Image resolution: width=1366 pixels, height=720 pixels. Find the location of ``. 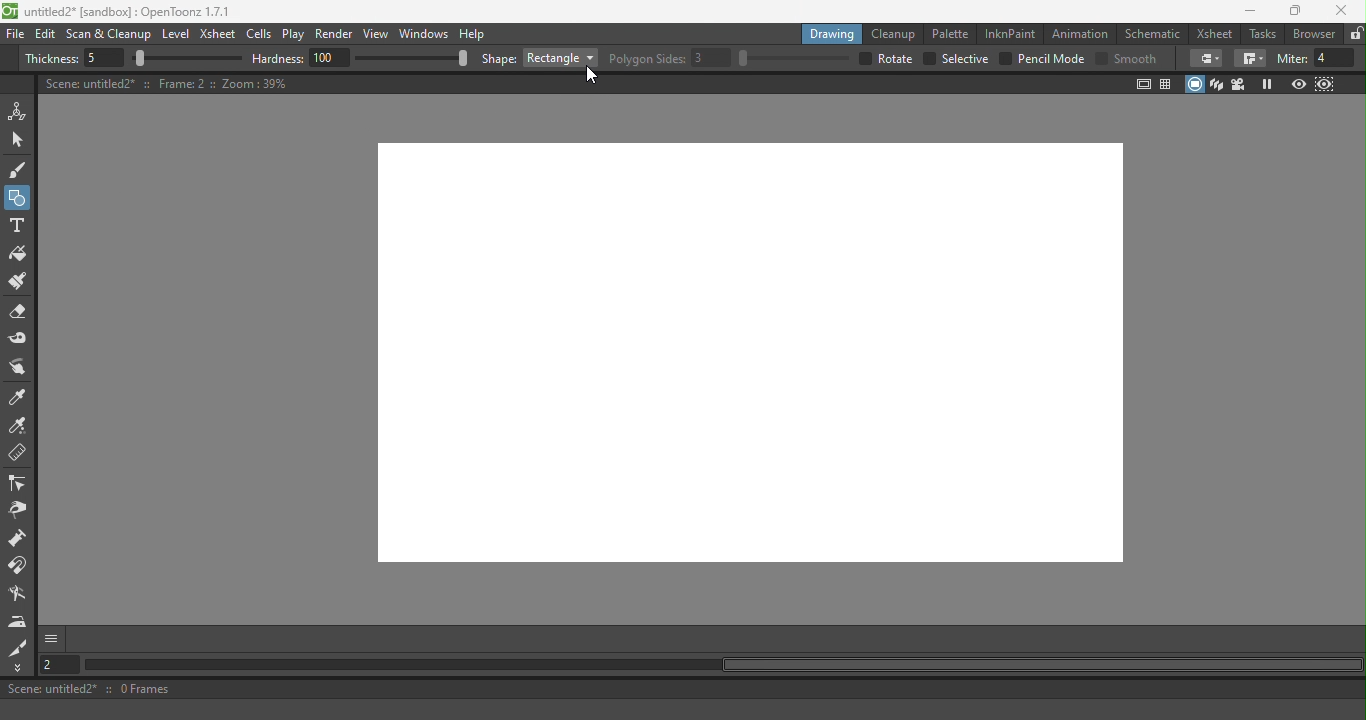

 is located at coordinates (18, 196).